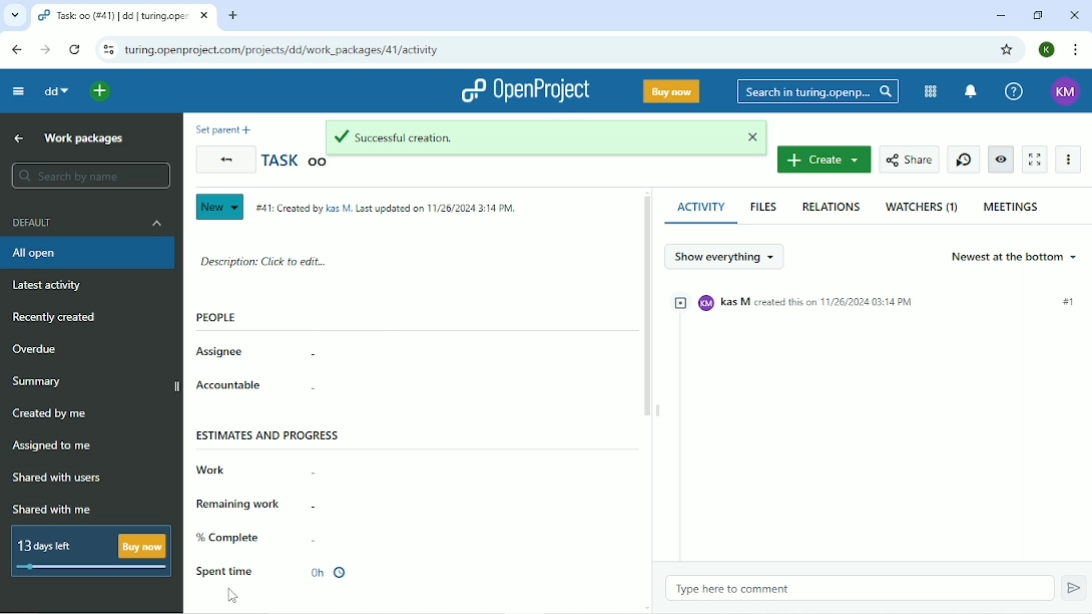 Image resolution: width=1092 pixels, height=614 pixels. What do you see at coordinates (89, 551) in the screenshot?
I see `13 days left Buy now` at bounding box center [89, 551].